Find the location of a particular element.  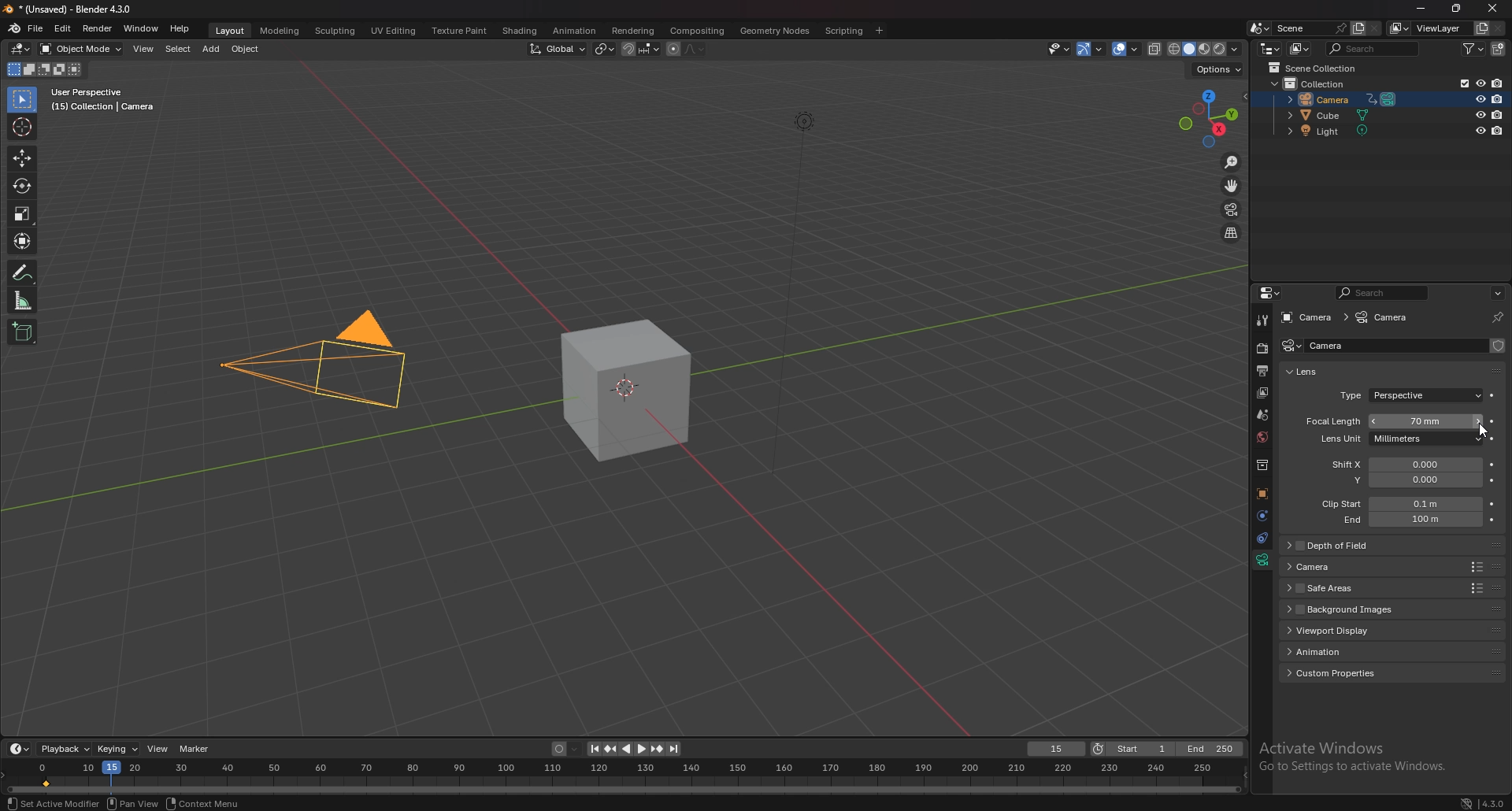

camera is located at coordinates (1307, 317).